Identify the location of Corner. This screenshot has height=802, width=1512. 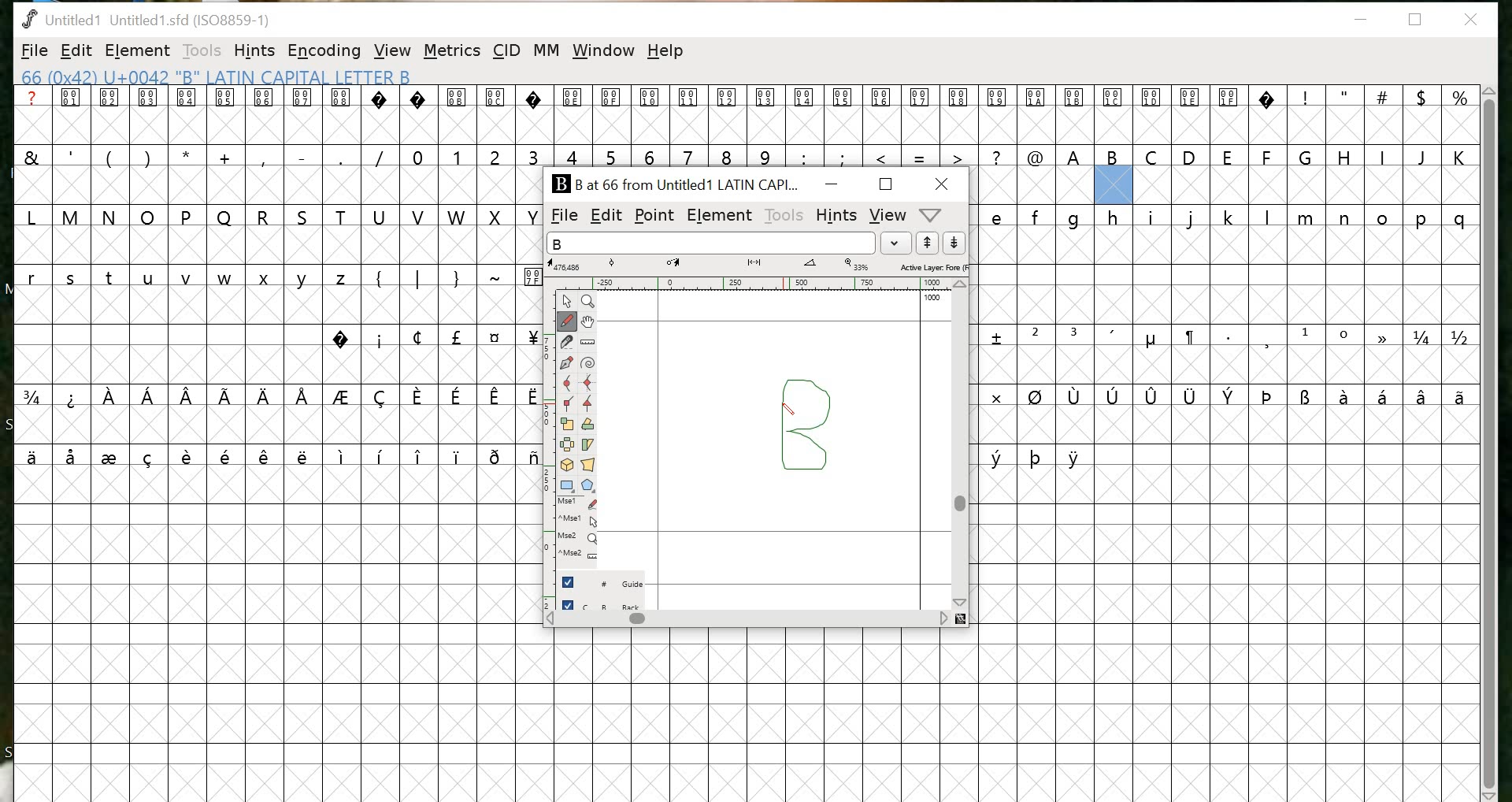
(569, 406).